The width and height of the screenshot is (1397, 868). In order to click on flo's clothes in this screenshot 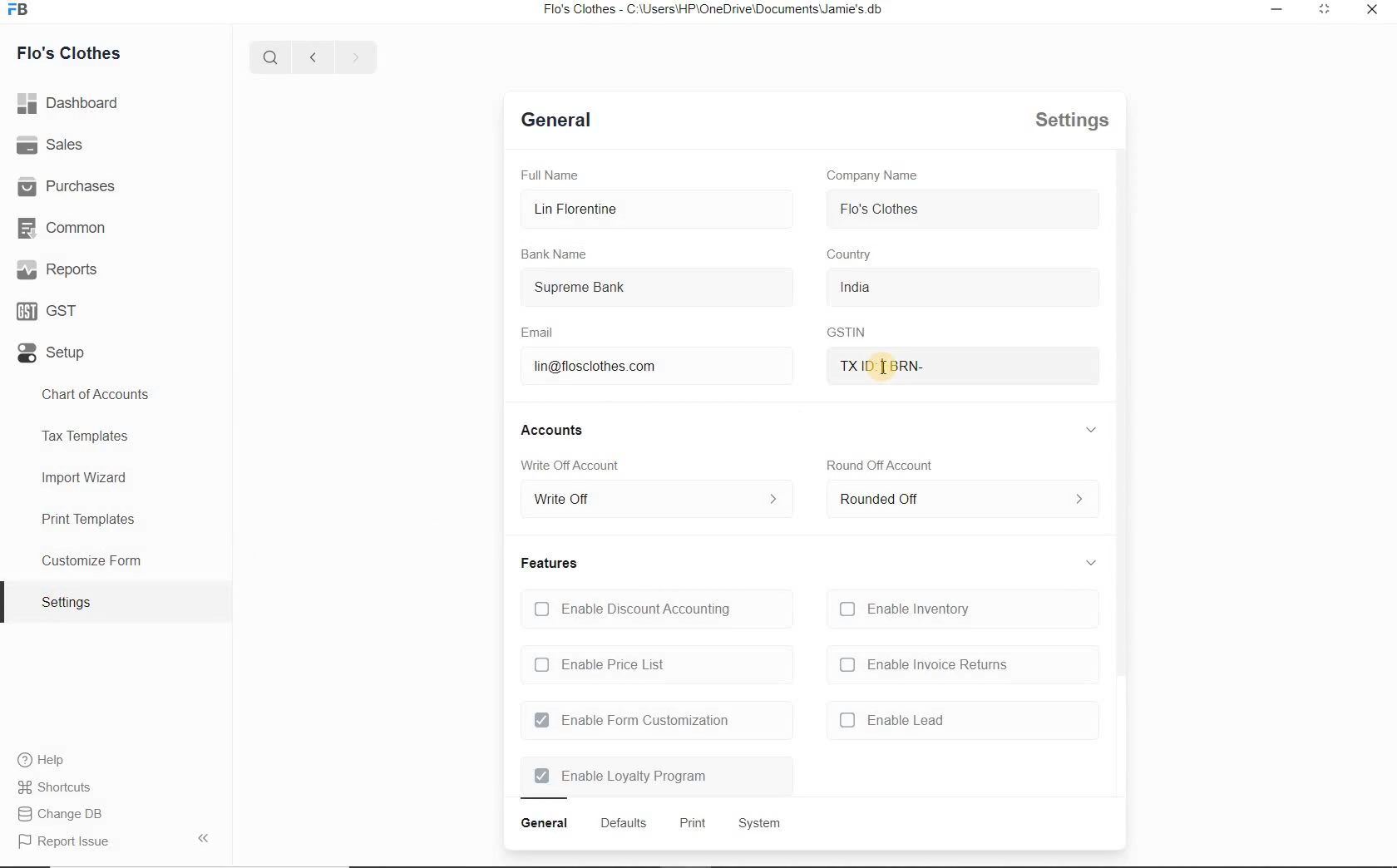, I will do `click(881, 209)`.